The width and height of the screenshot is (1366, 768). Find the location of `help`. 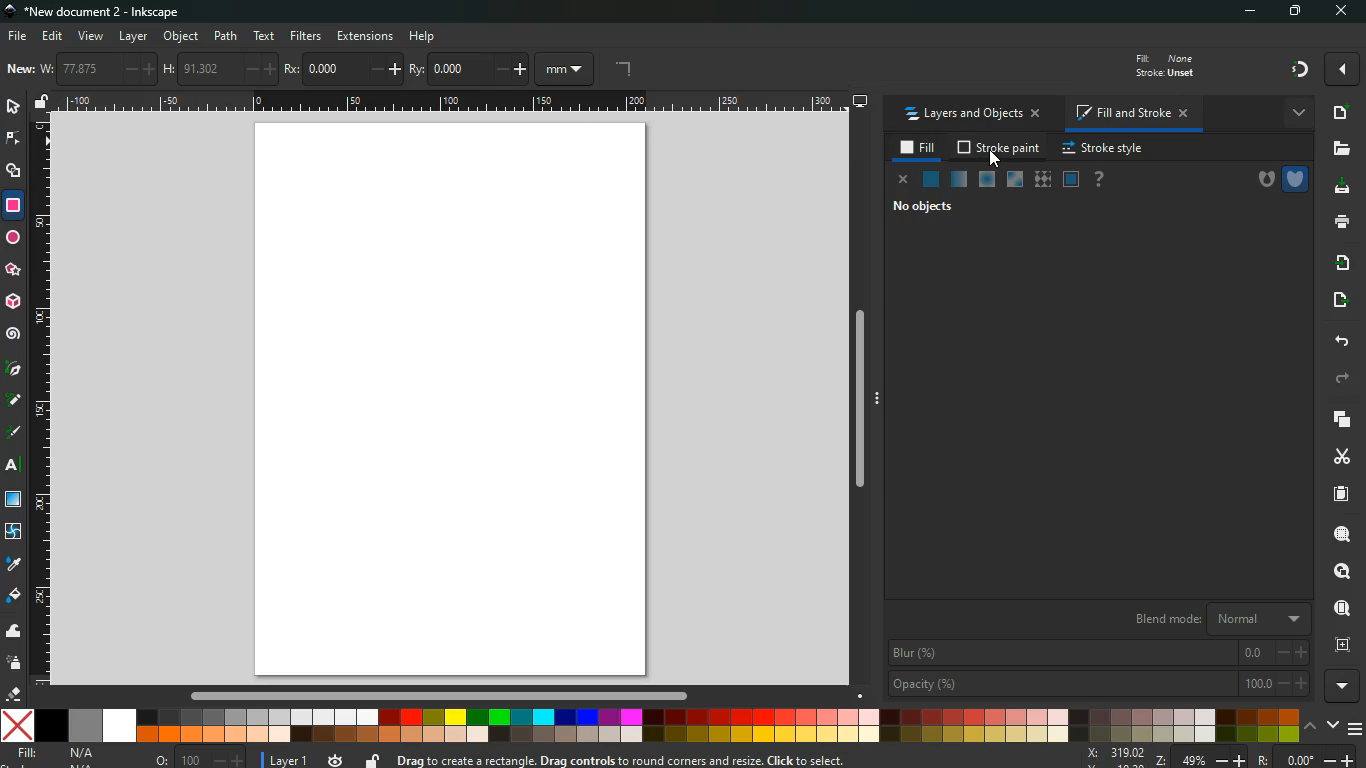

help is located at coordinates (426, 37).